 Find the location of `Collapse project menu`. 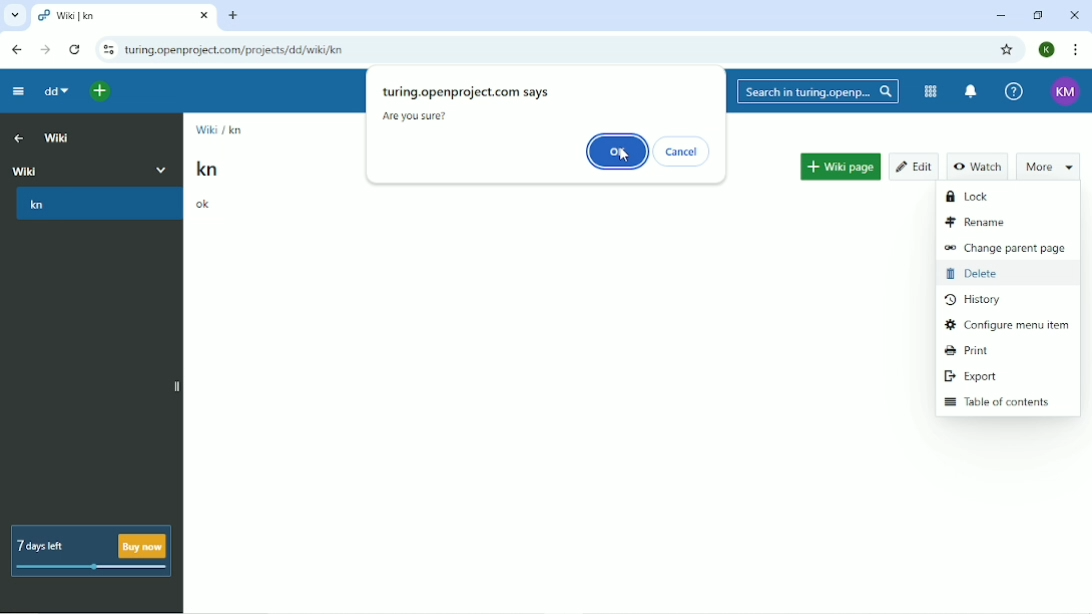

Collapse project menu is located at coordinates (17, 92).